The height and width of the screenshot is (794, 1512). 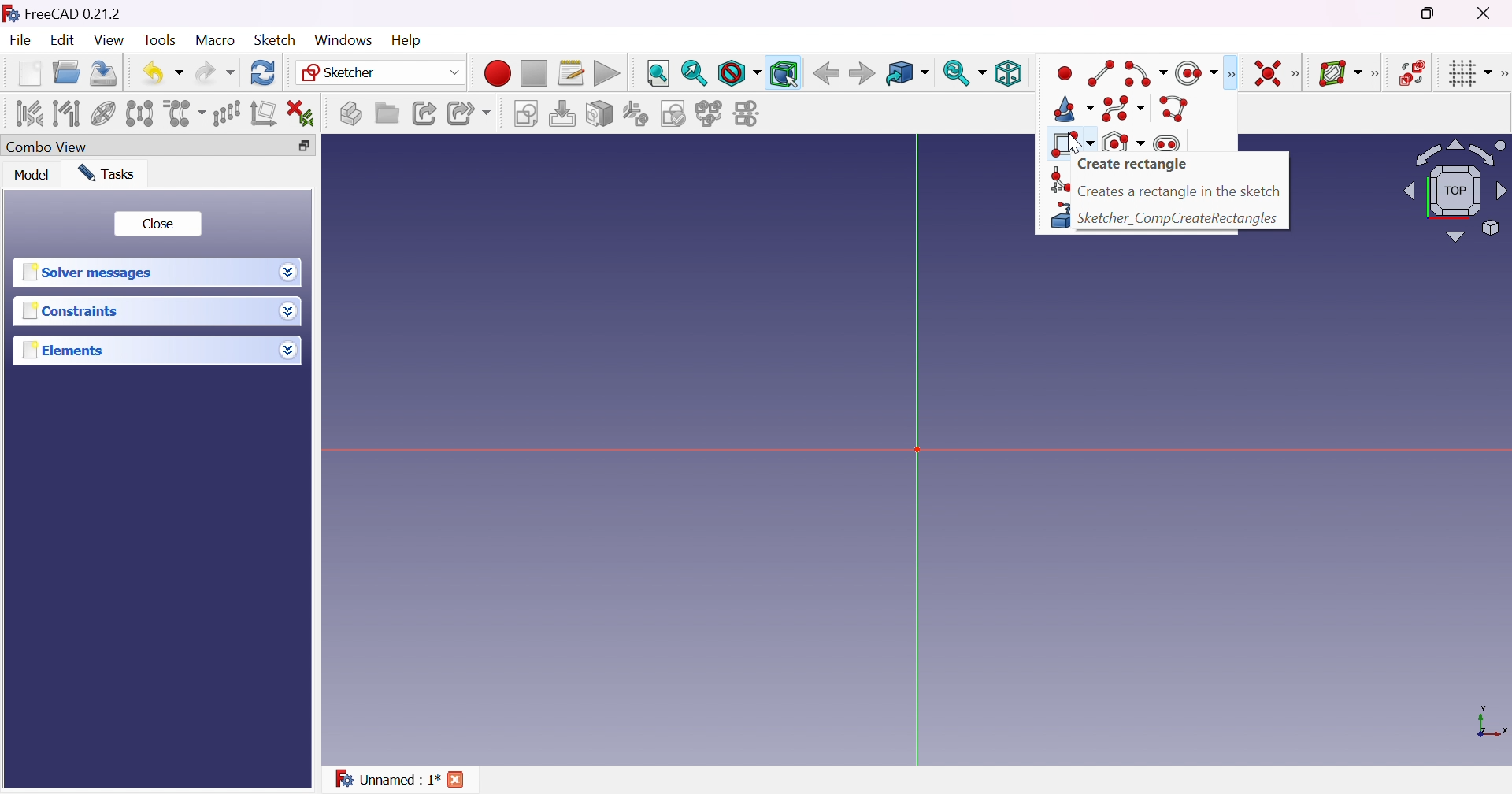 What do you see at coordinates (1125, 109) in the screenshot?
I see `Create B-spline` at bounding box center [1125, 109].